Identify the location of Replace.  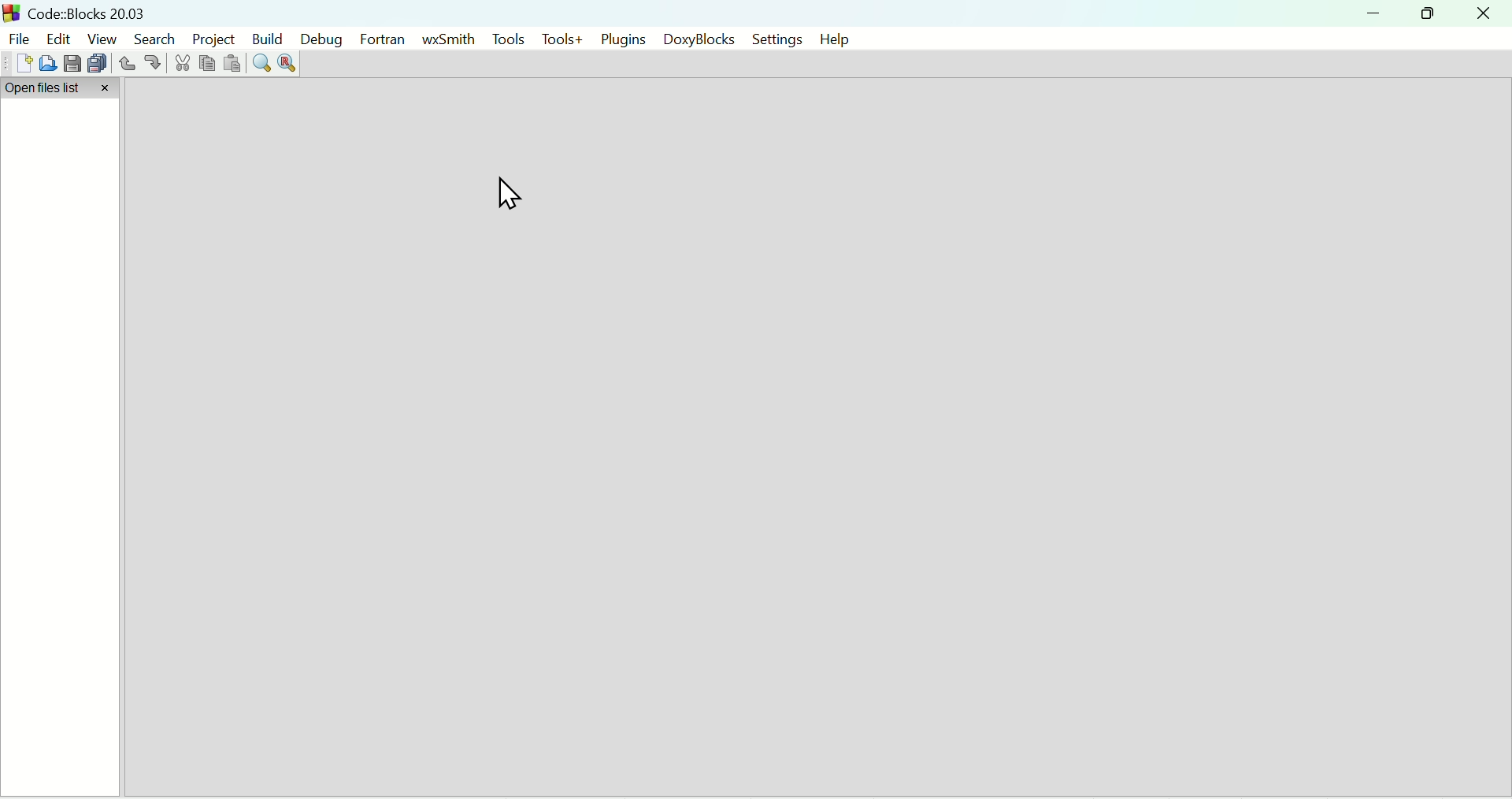
(288, 65).